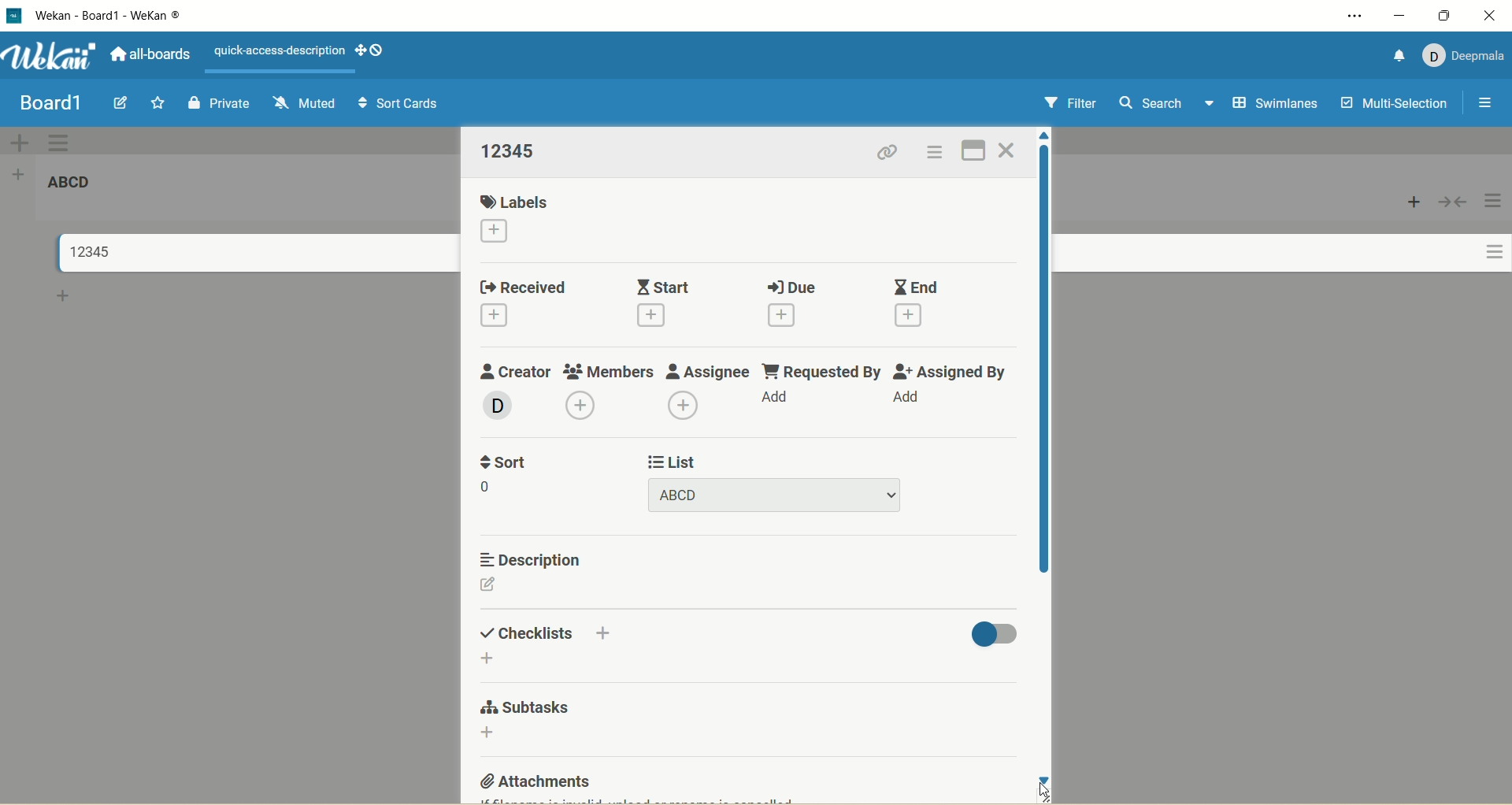 This screenshot has height=805, width=1512. Describe the element at coordinates (1277, 105) in the screenshot. I see `swimlanes` at that location.